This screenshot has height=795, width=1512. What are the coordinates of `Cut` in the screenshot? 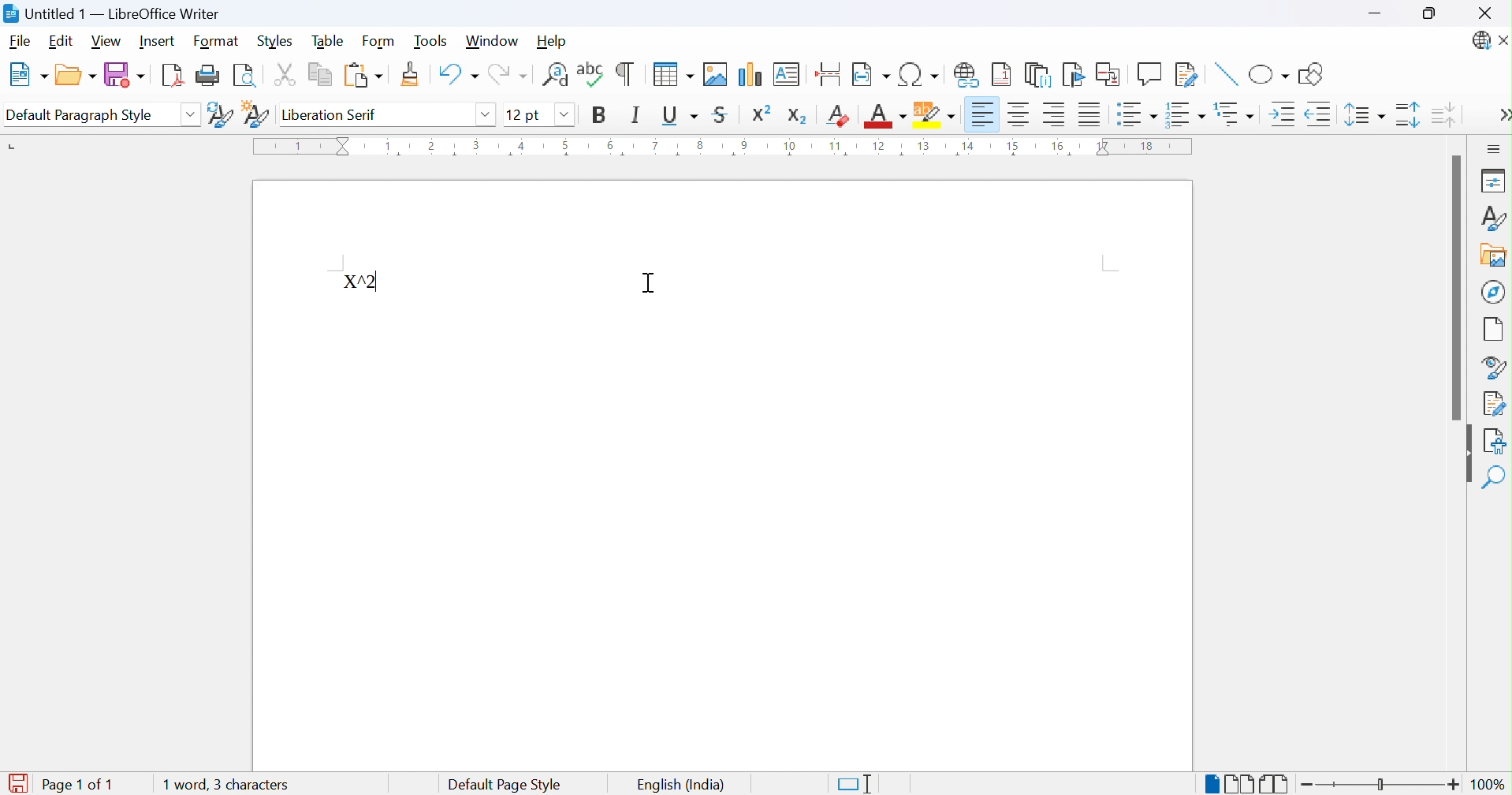 It's located at (285, 73).